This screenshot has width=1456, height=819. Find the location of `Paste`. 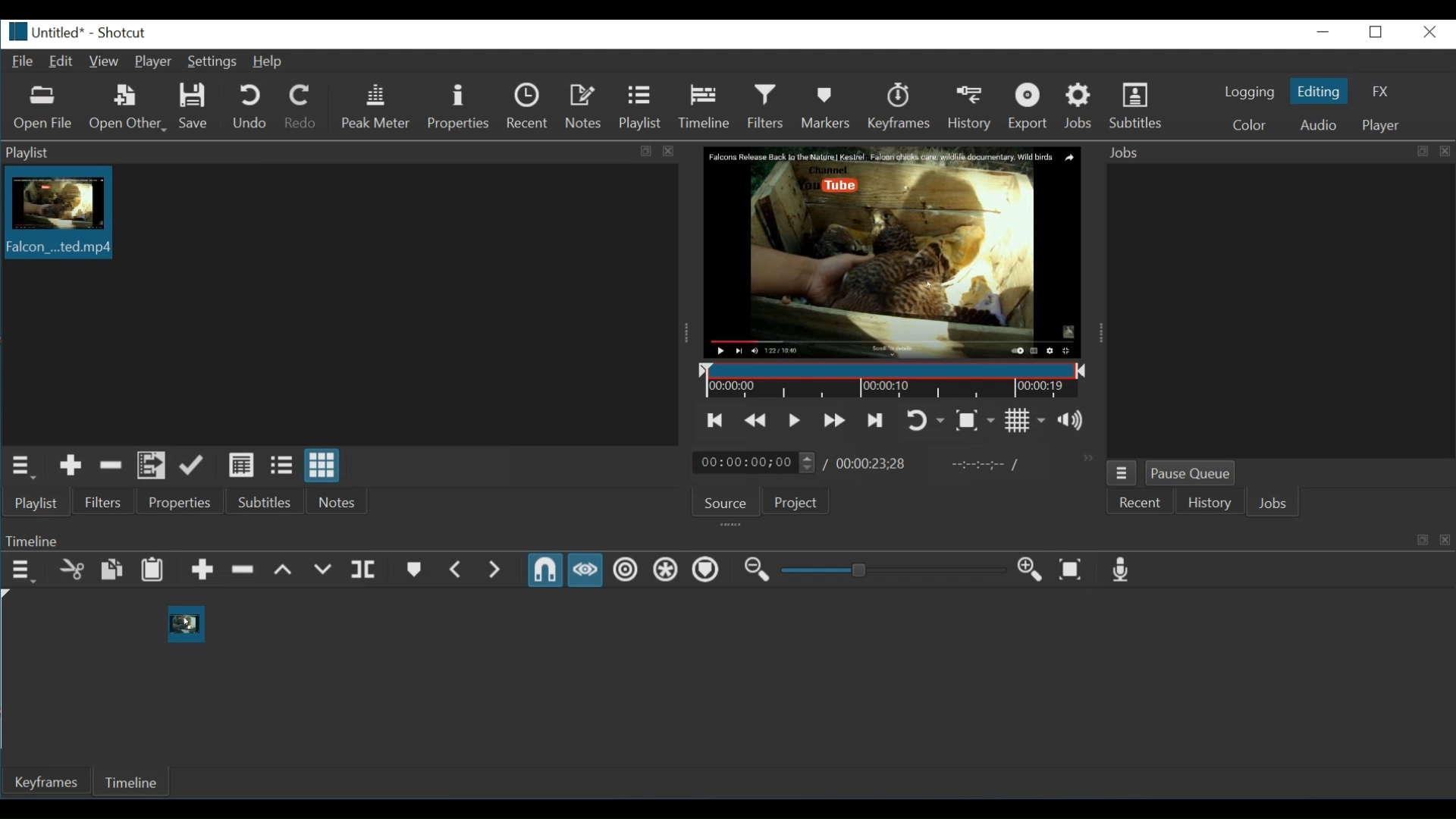

Paste is located at coordinates (152, 570).